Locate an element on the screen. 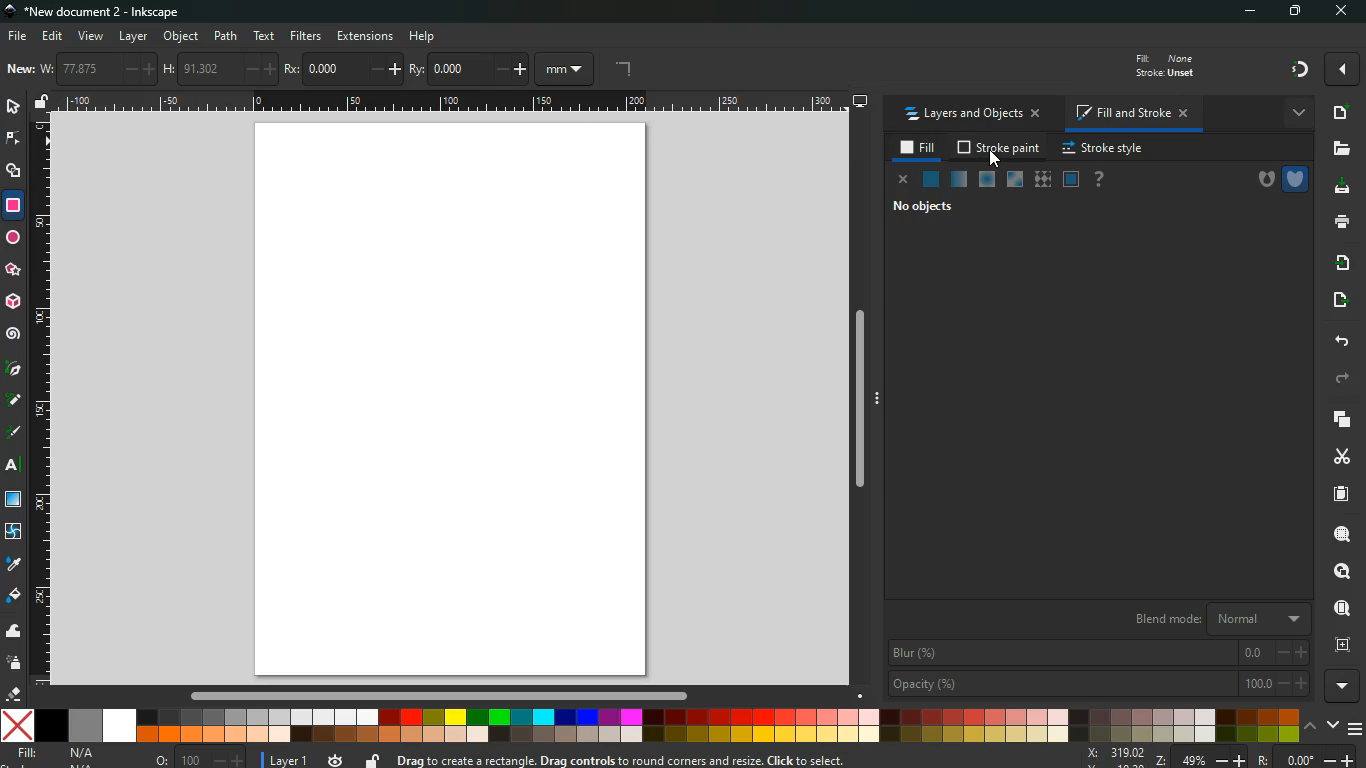 Image resolution: width=1366 pixels, height=768 pixels. close is located at coordinates (1343, 12).